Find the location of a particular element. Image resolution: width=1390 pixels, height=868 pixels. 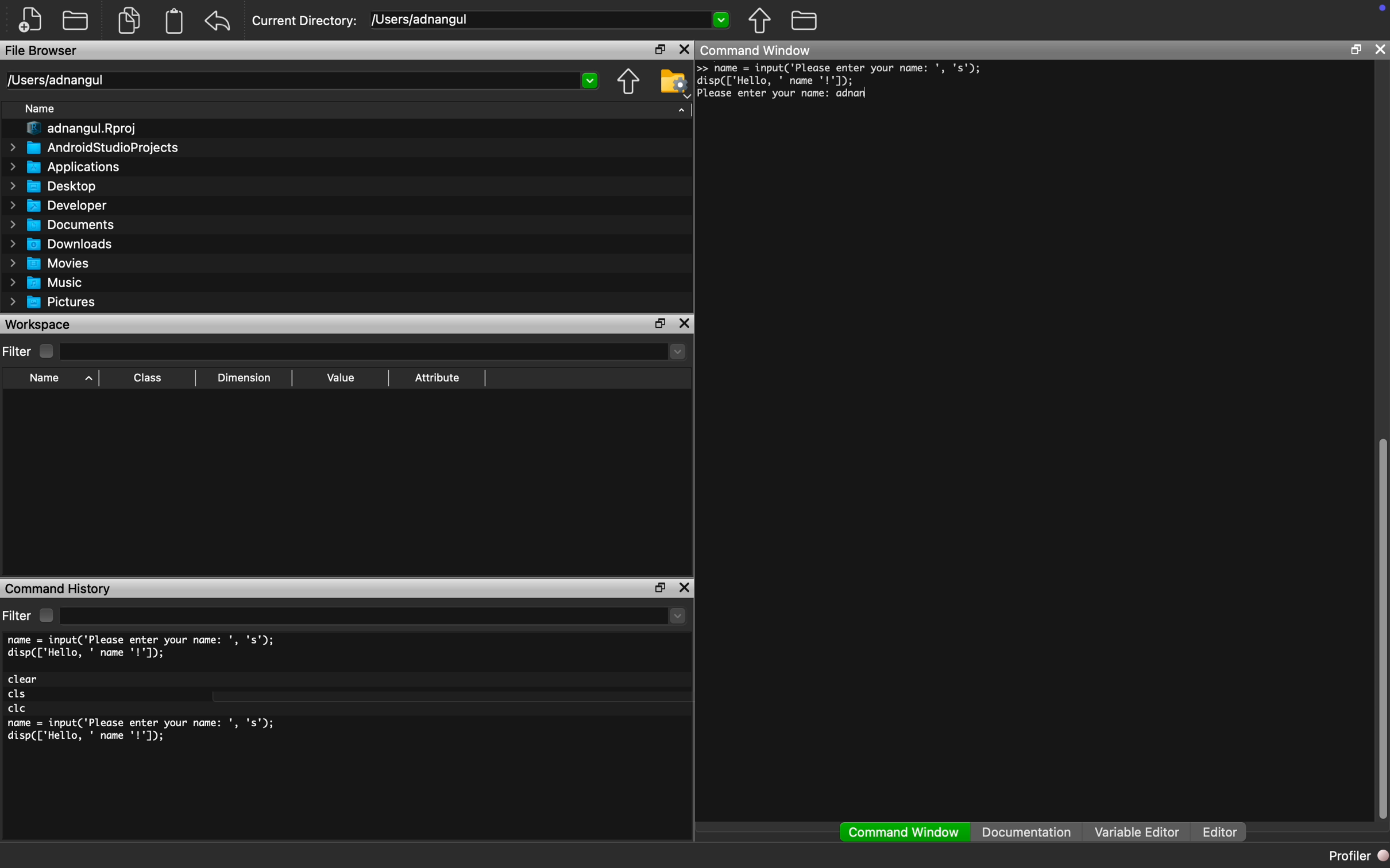

icon is located at coordinates (1382, 7).